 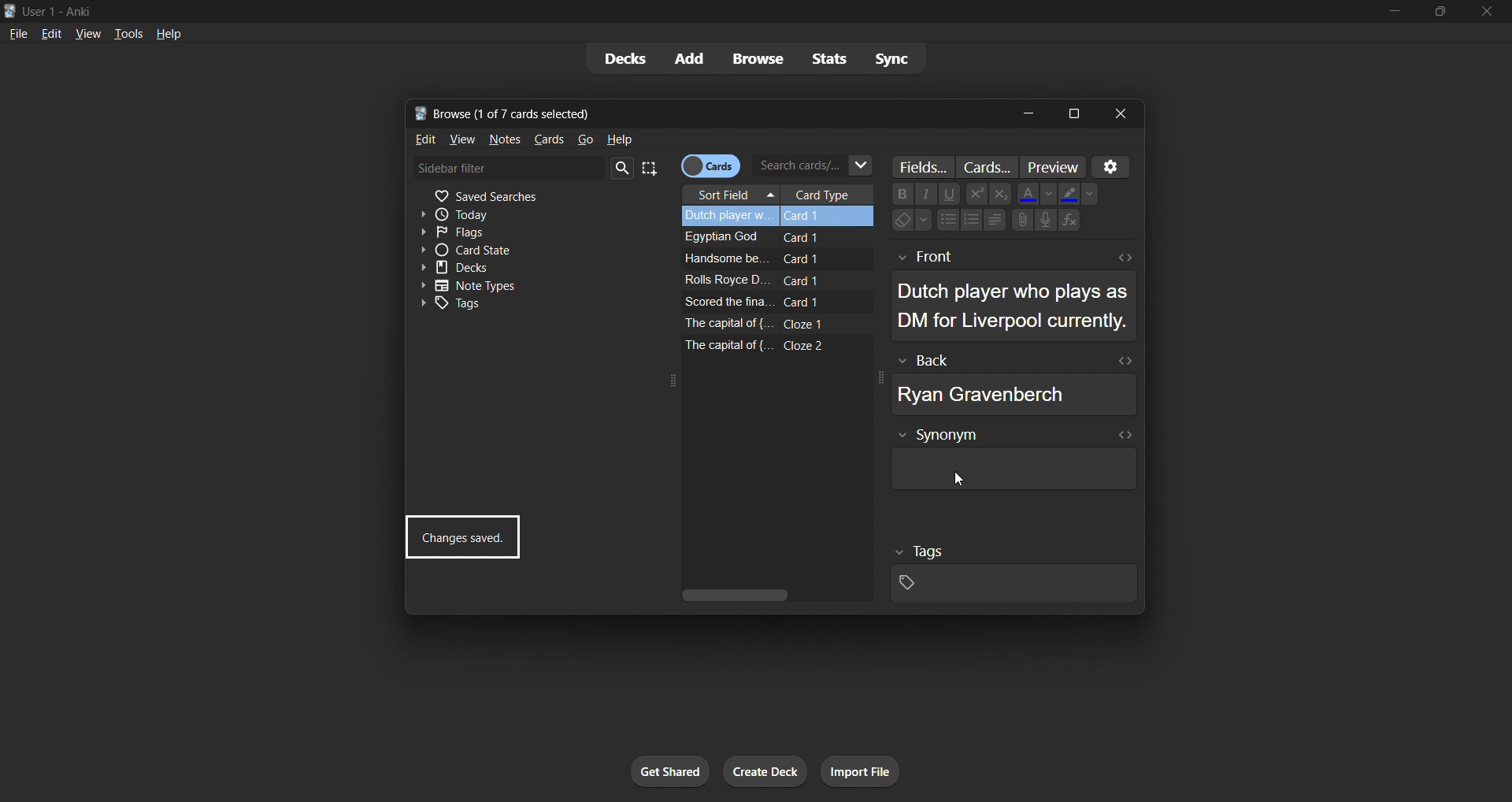 I want to click on close, so click(x=1484, y=12).